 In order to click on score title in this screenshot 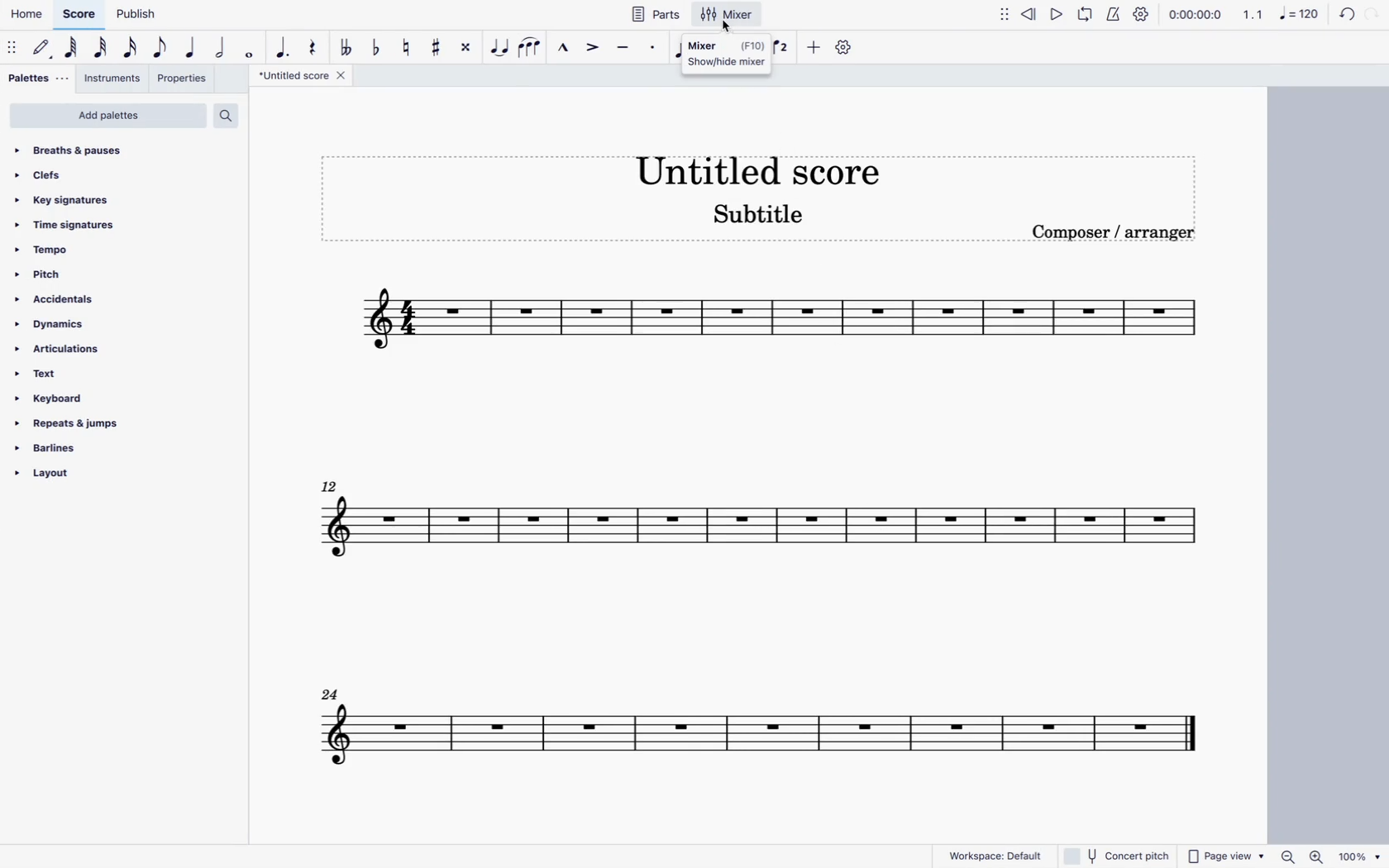, I will do `click(756, 167)`.